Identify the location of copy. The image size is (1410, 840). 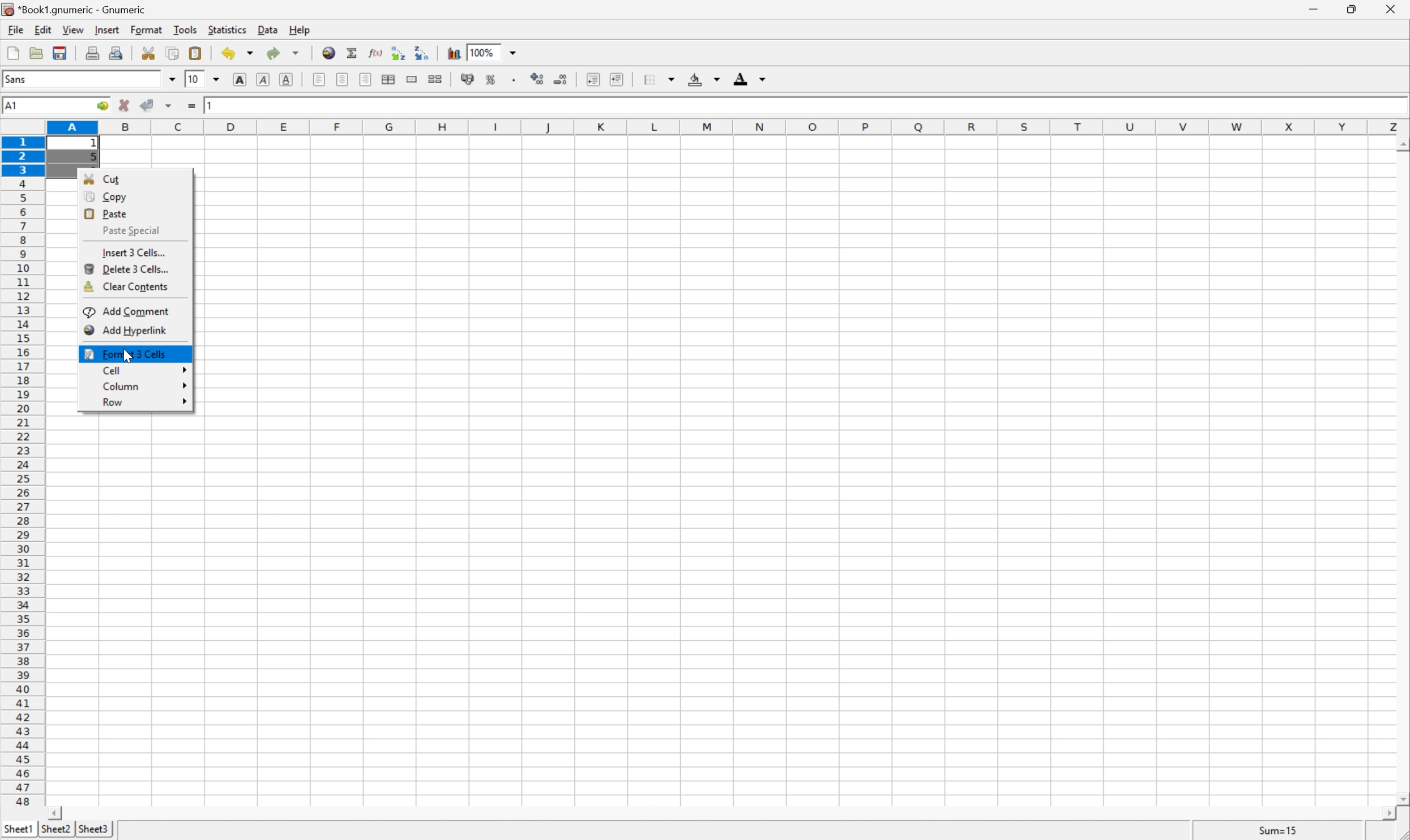
(106, 197).